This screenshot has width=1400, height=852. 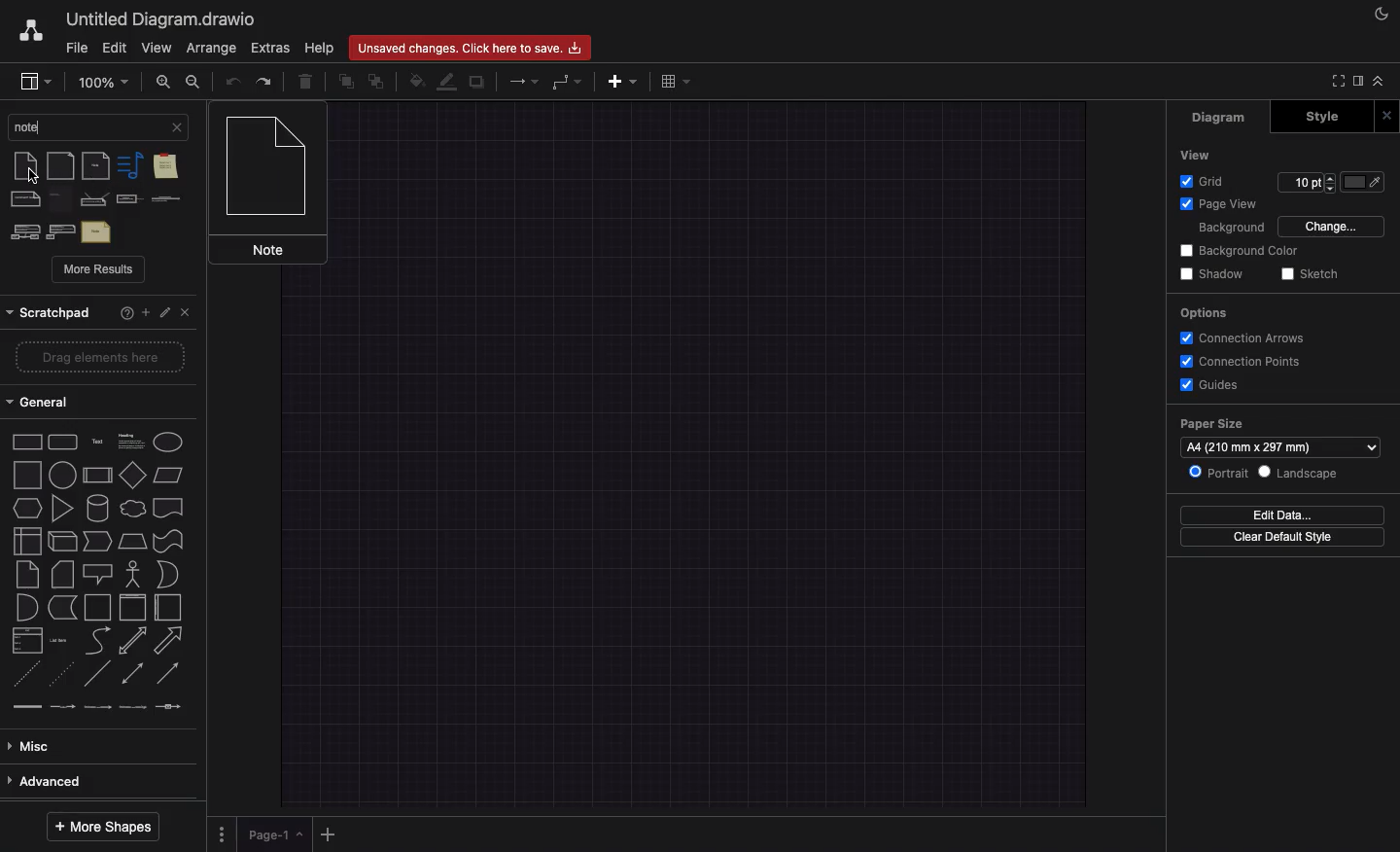 What do you see at coordinates (97, 642) in the screenshot?
I see `curve` at bounding box center [97, 642].